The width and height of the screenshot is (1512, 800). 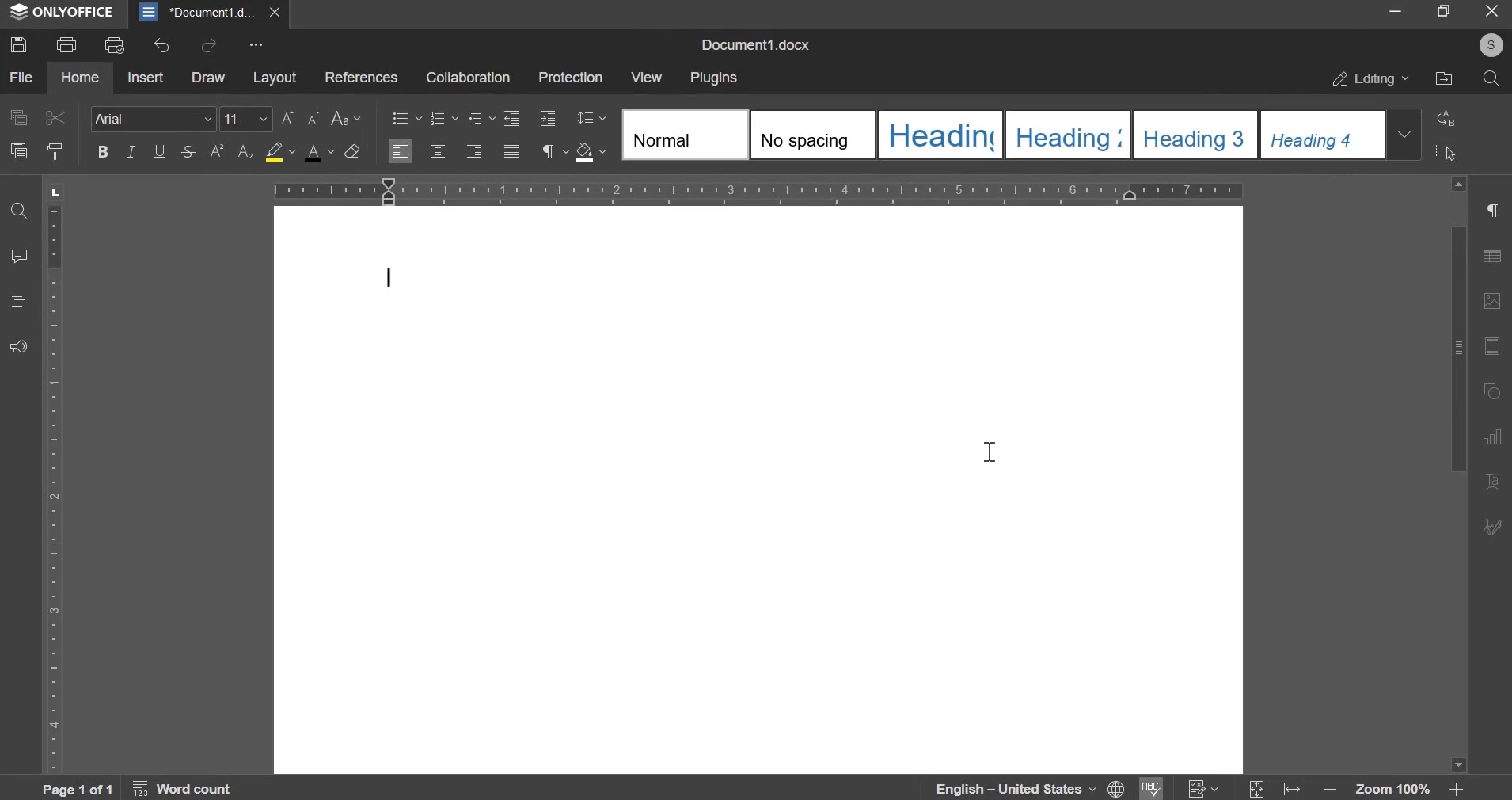 I want to click on file location, so click(x=1445, y=81).